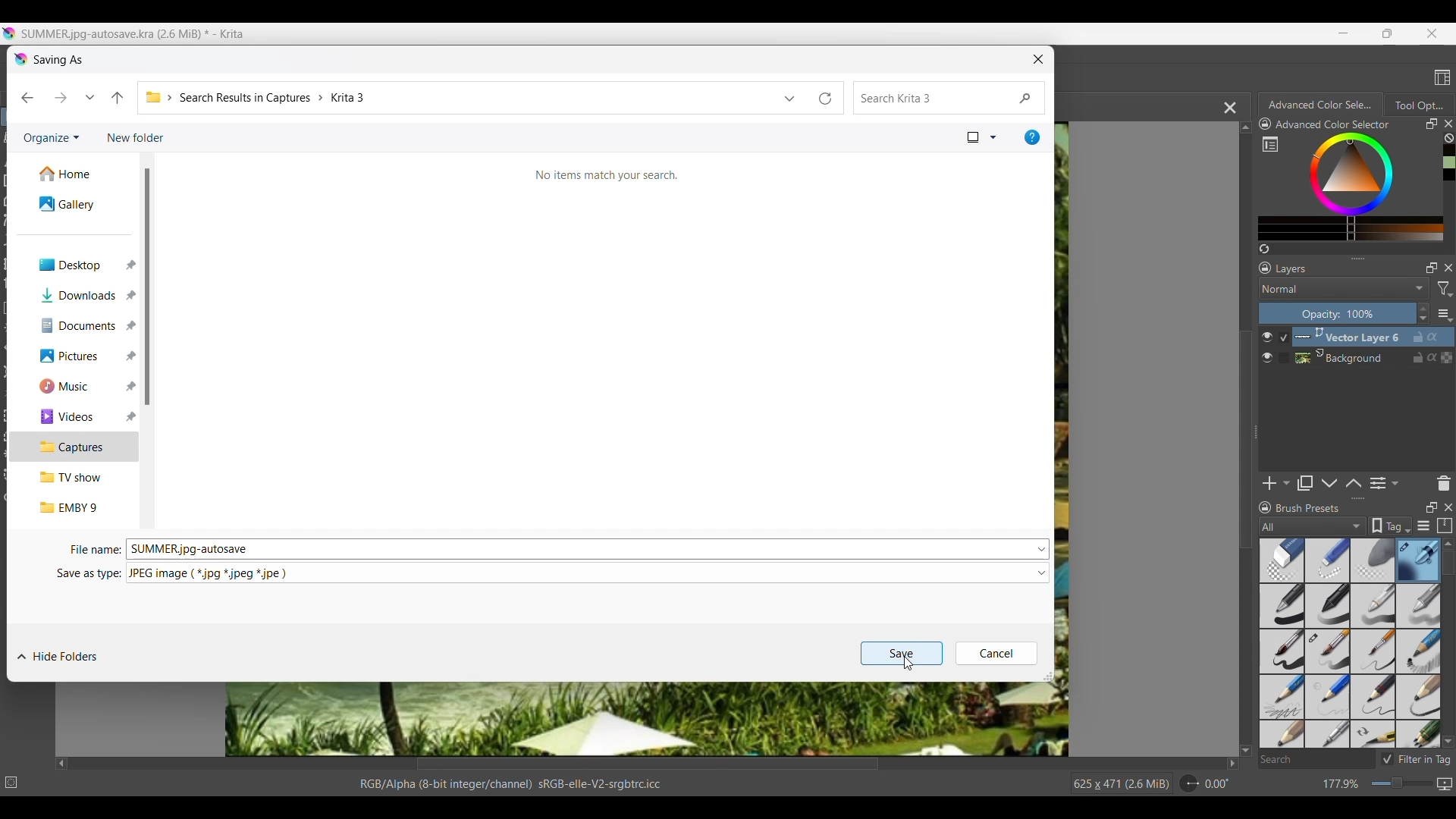 The image size is (1456, 819). What do you see at coordinates (1445, 314) in the screenshot?
I see `More settings` at bounding box center [1445, 314].